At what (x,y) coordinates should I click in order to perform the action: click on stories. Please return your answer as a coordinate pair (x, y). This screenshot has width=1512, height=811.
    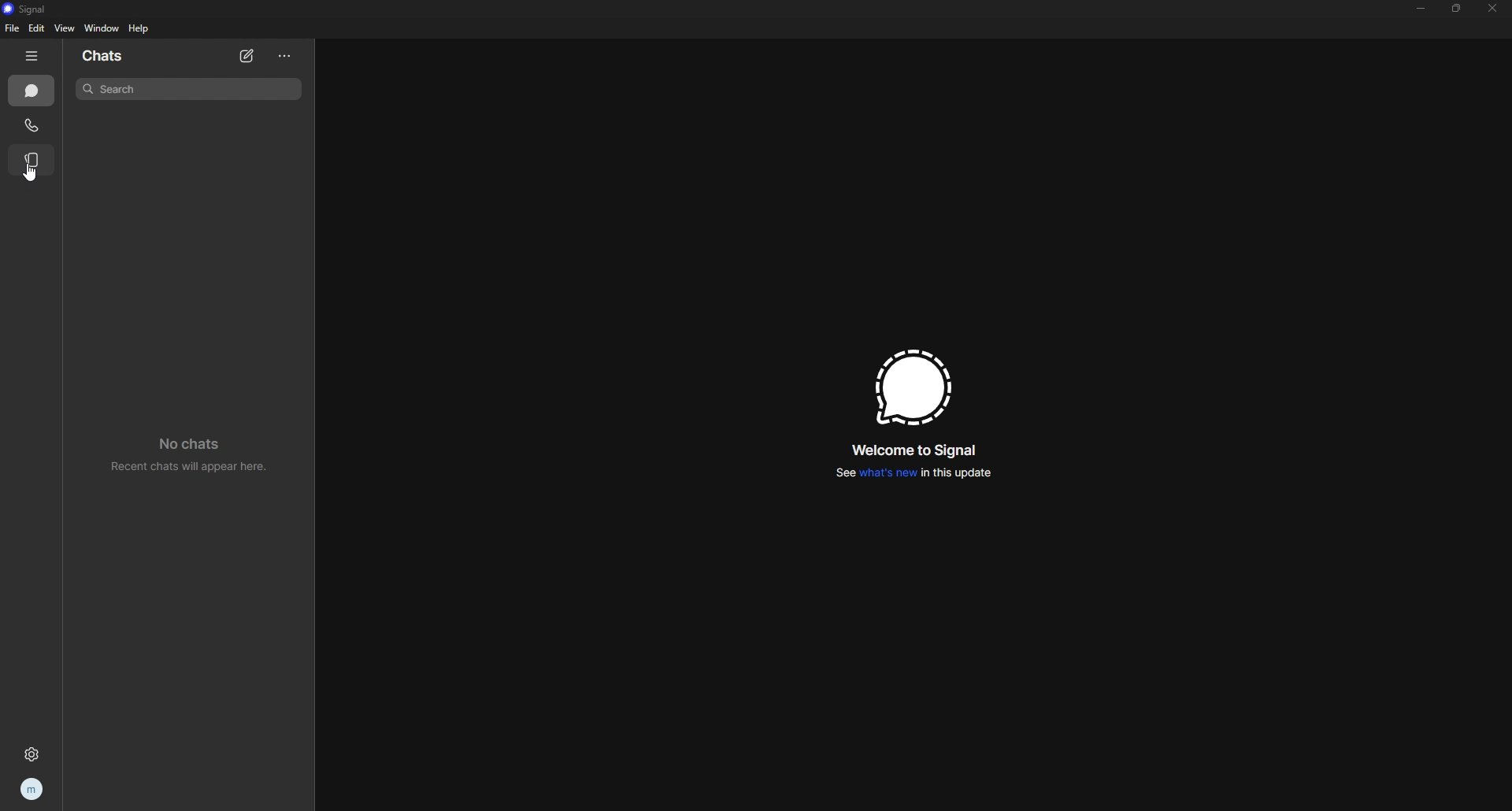
    Looking at the image, I should click on (32, 160).